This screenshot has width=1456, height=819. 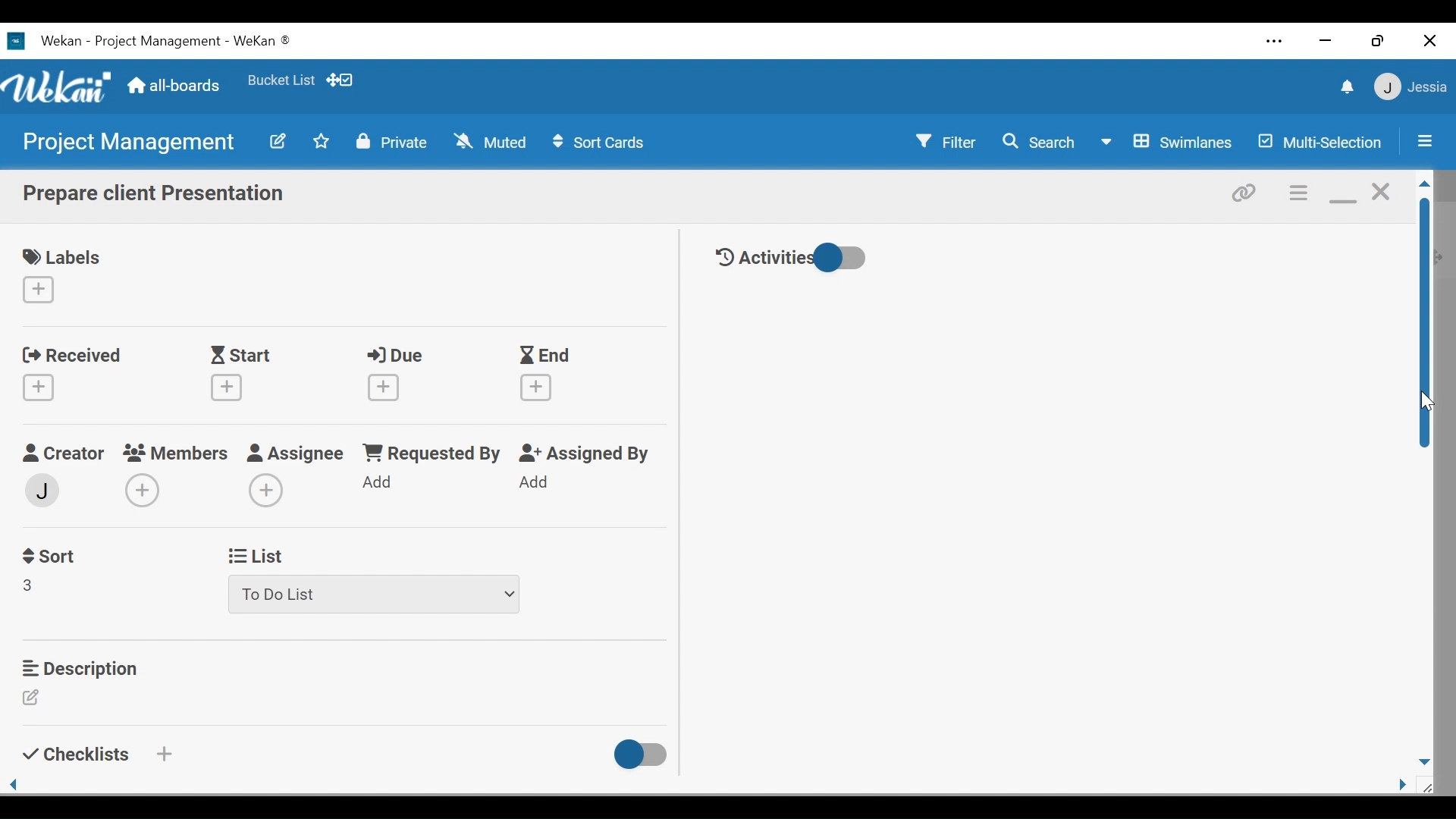 What do you see at coordinates (1422, 183) in the screenshot?
I see `Scroll up` at bounding box center [1422, 183].